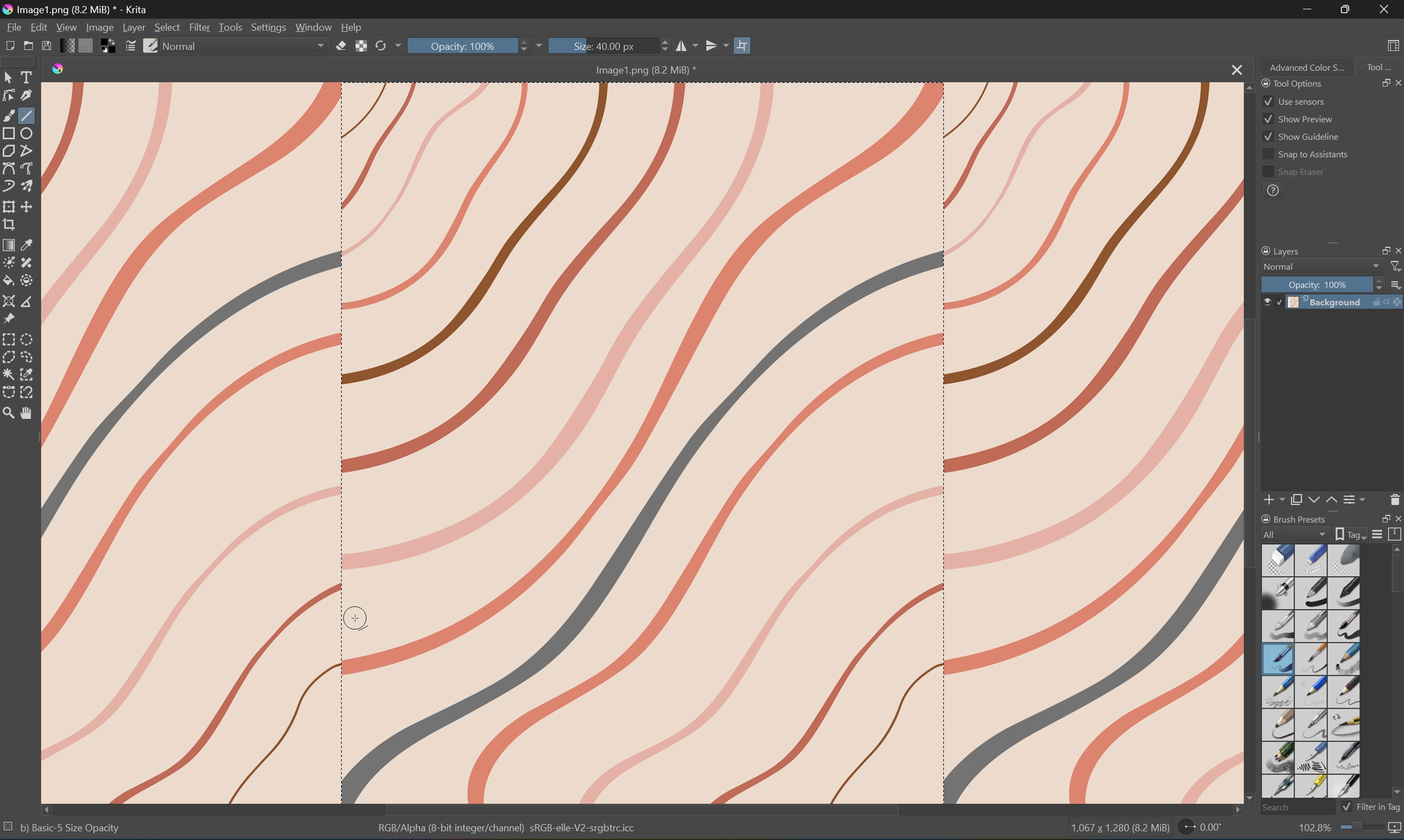 The height and width of the screenshot is (840, 1404). I want to click on Edit shapes tool, so click(9, 96).